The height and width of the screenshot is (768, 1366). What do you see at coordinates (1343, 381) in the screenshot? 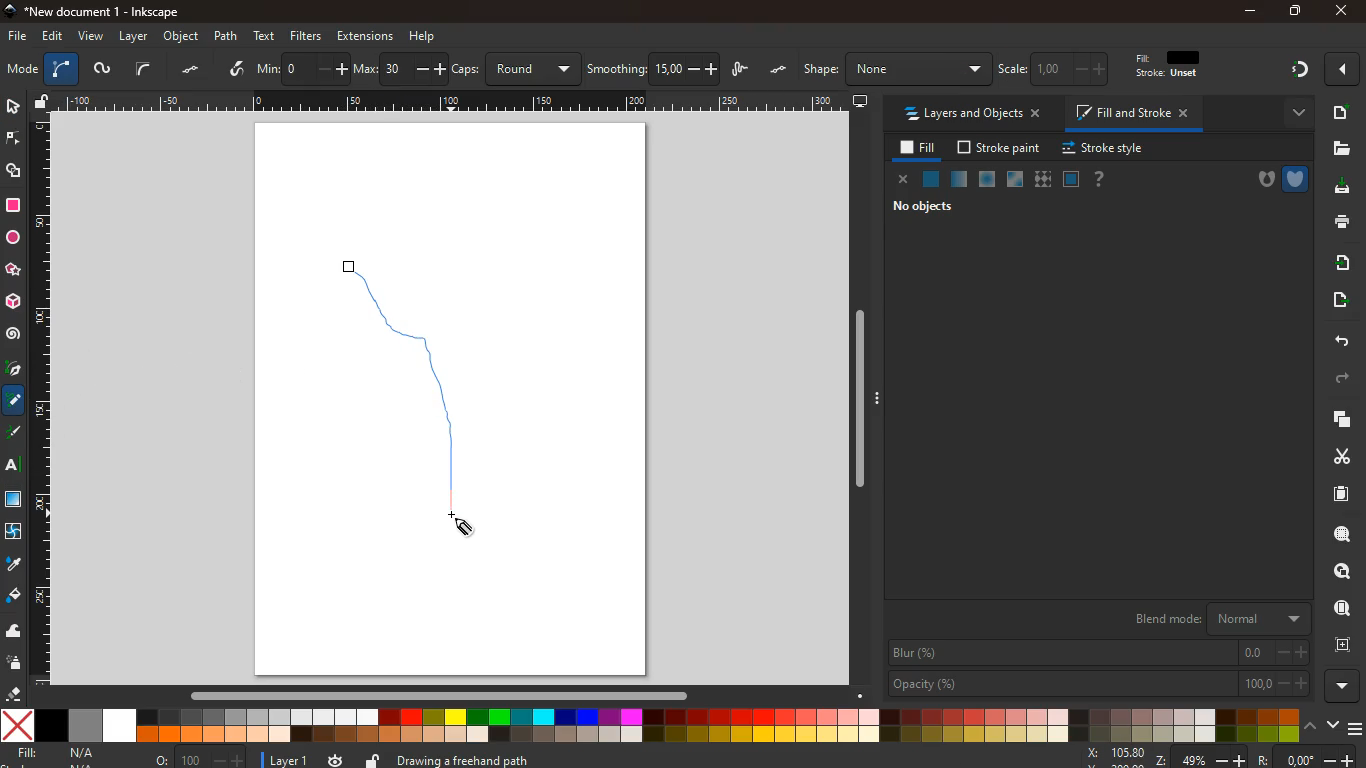
I see `forward` at bounding box center [1343, 381].